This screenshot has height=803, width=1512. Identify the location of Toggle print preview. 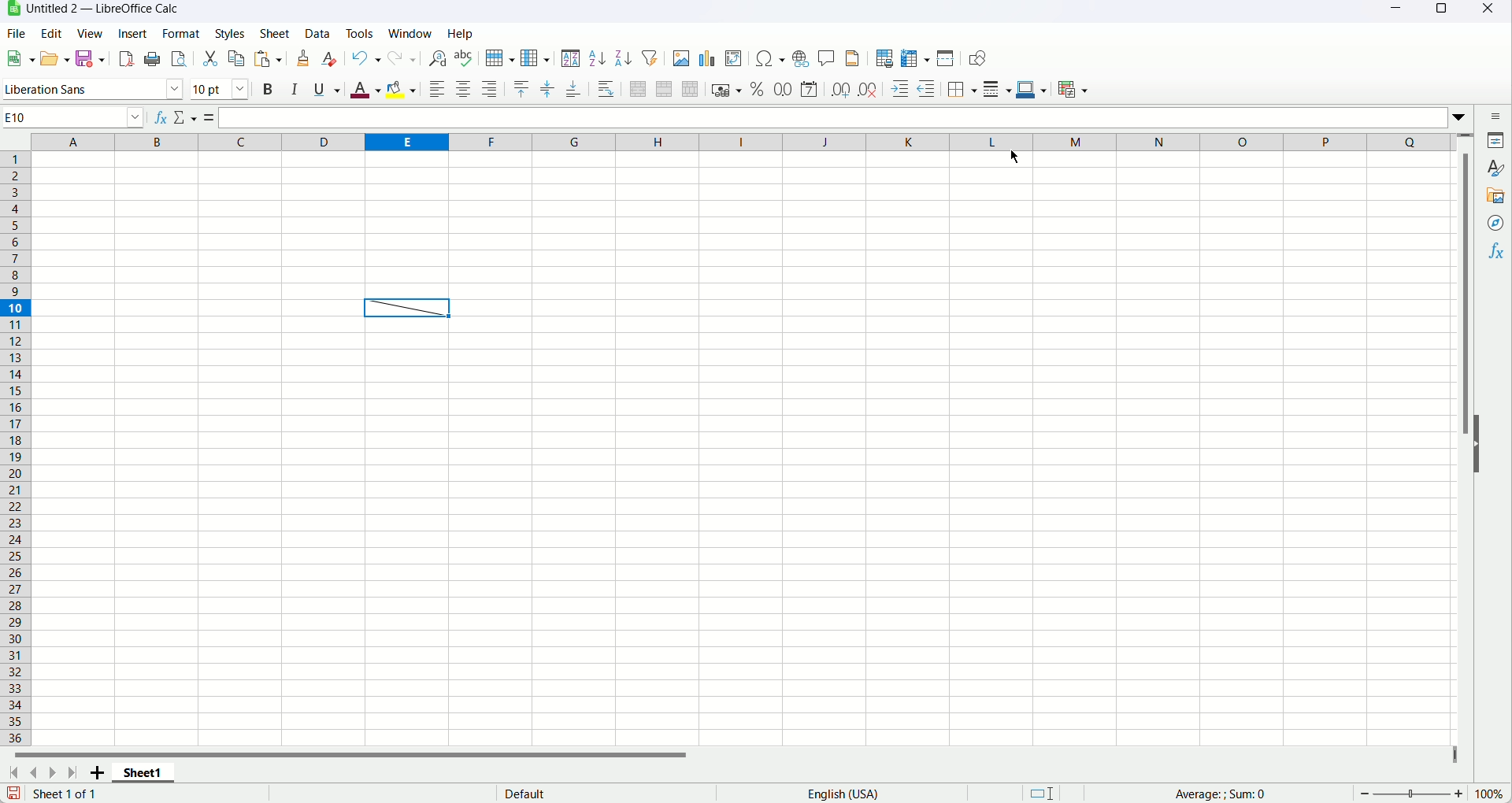
(179, 58).